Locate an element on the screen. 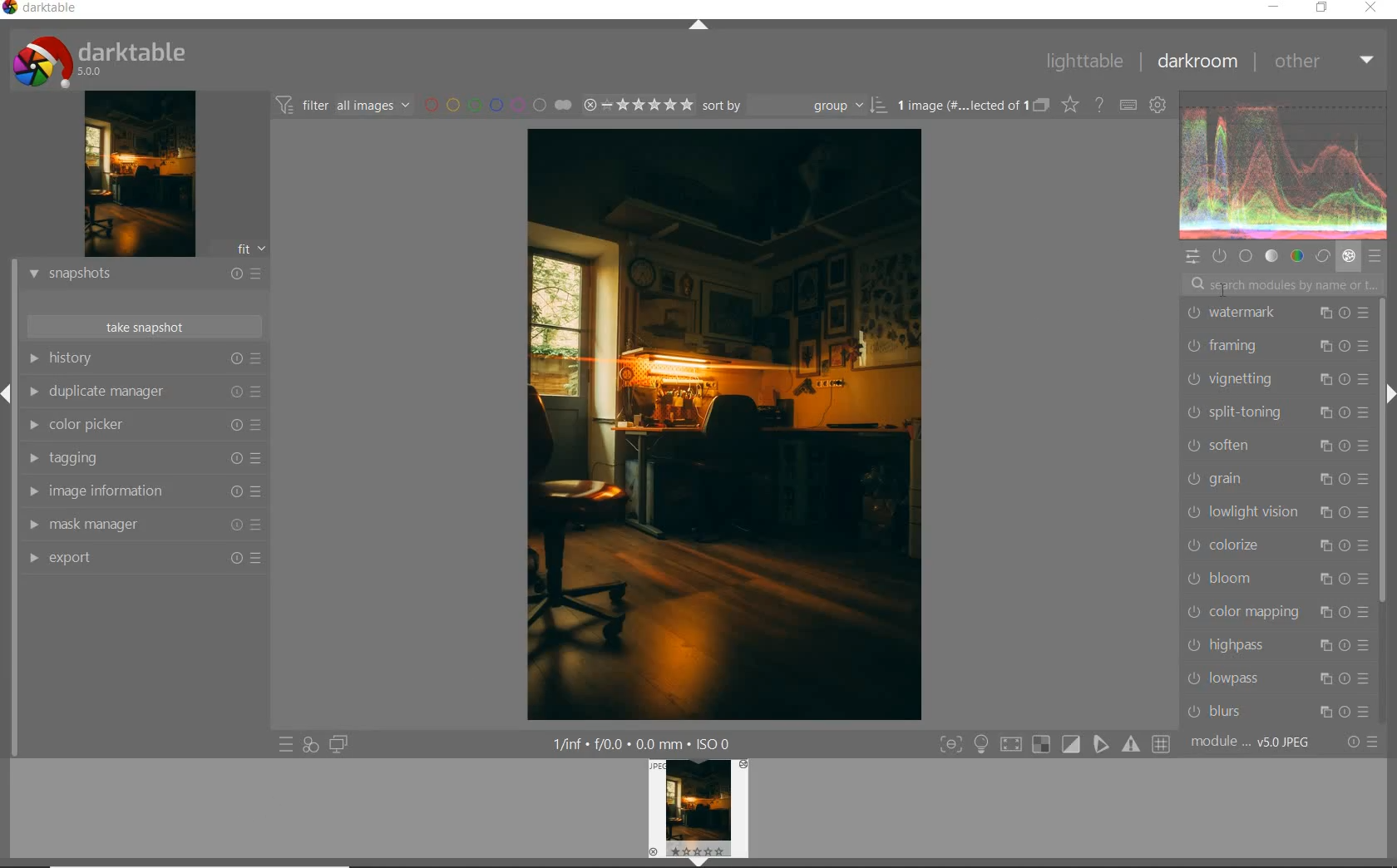 This screenshot has height=868, width=1397. selected image is located at coordinates (727, 424).